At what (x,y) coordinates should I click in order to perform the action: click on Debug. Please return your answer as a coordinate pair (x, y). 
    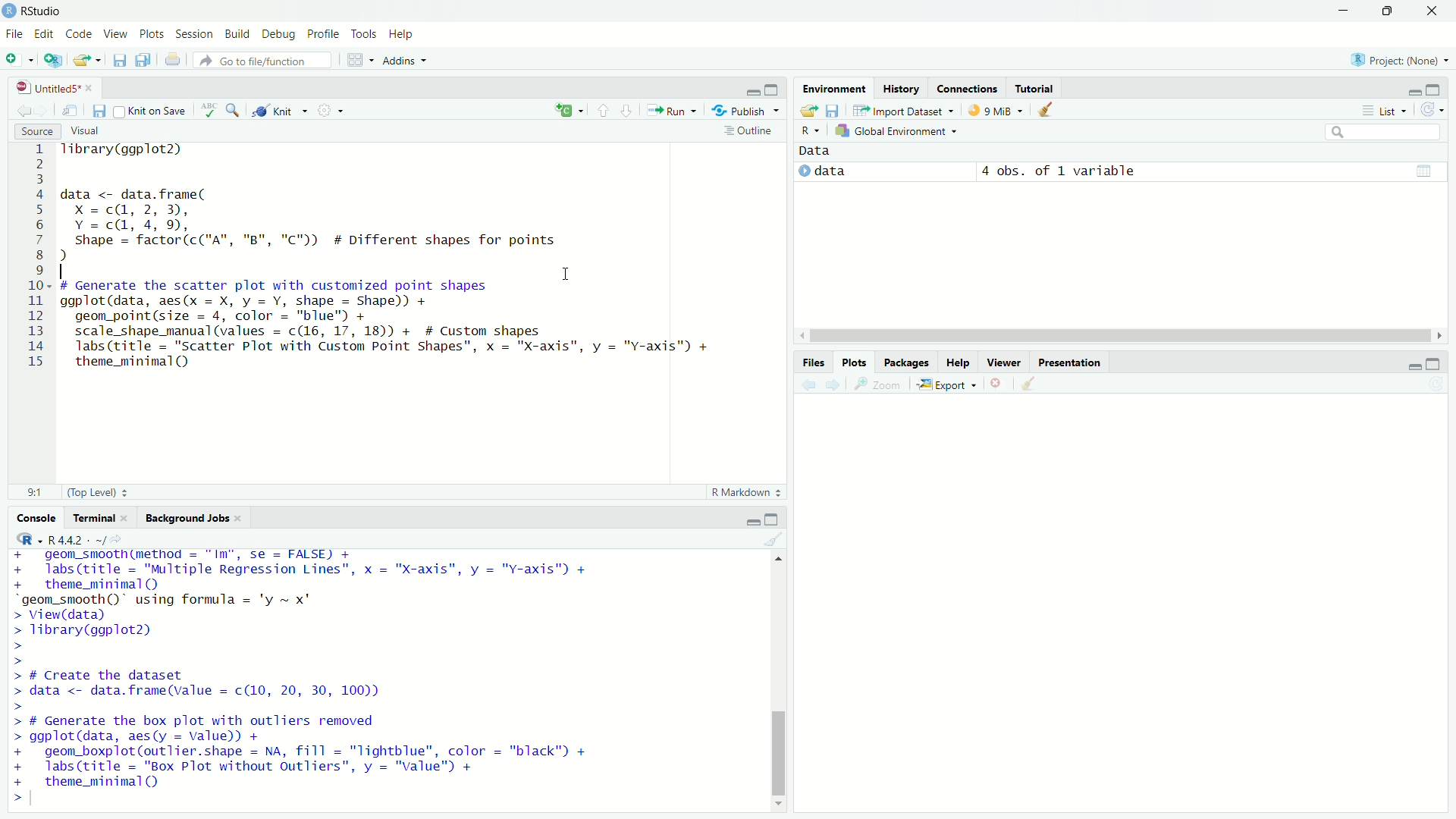
    Looking at the image, I should click on (278, 34).